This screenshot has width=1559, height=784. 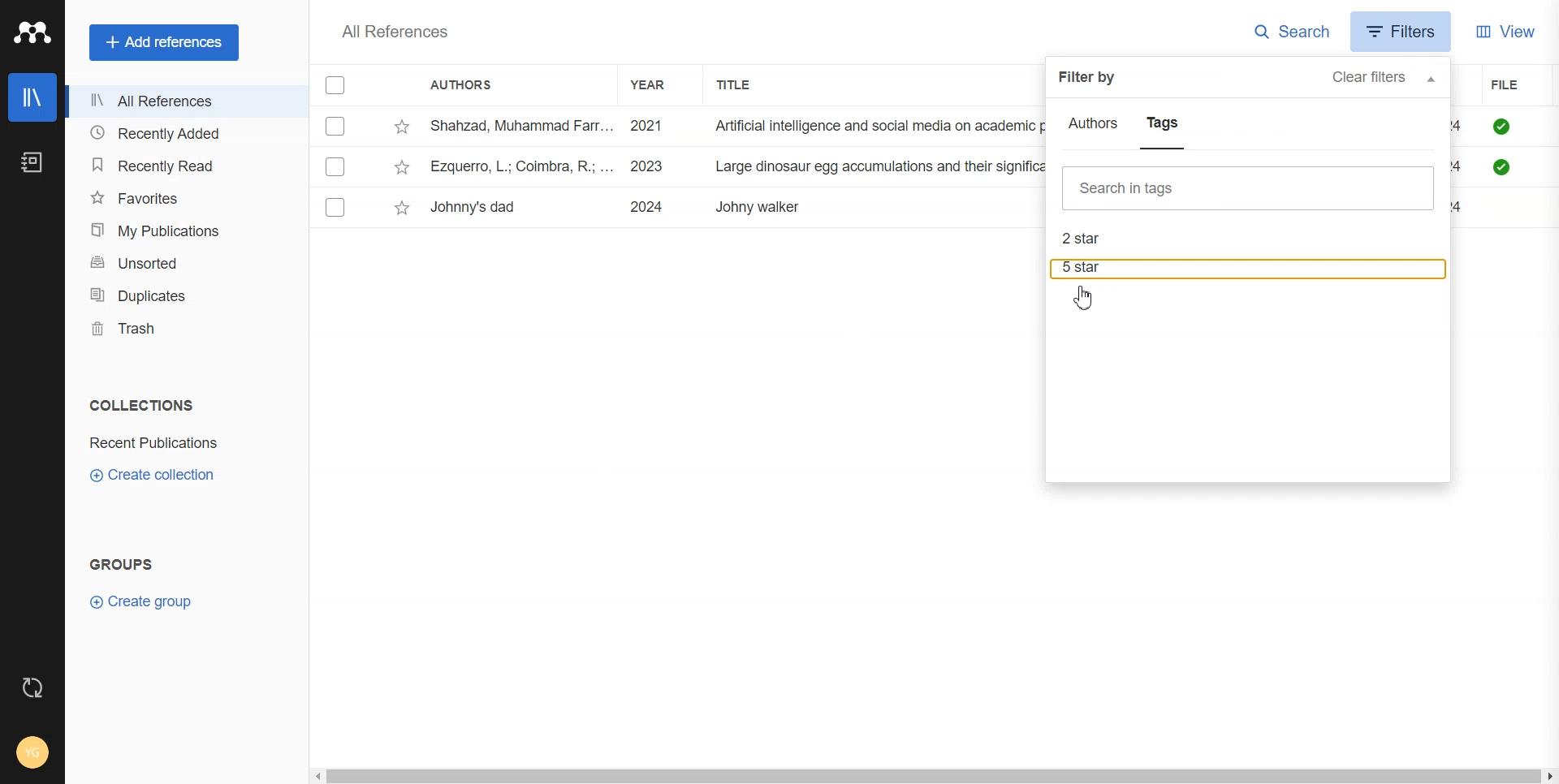 What do you see at coordinates (149, 601) in the screenshot?
I see `Create Group` at bounding box center [149, 601].